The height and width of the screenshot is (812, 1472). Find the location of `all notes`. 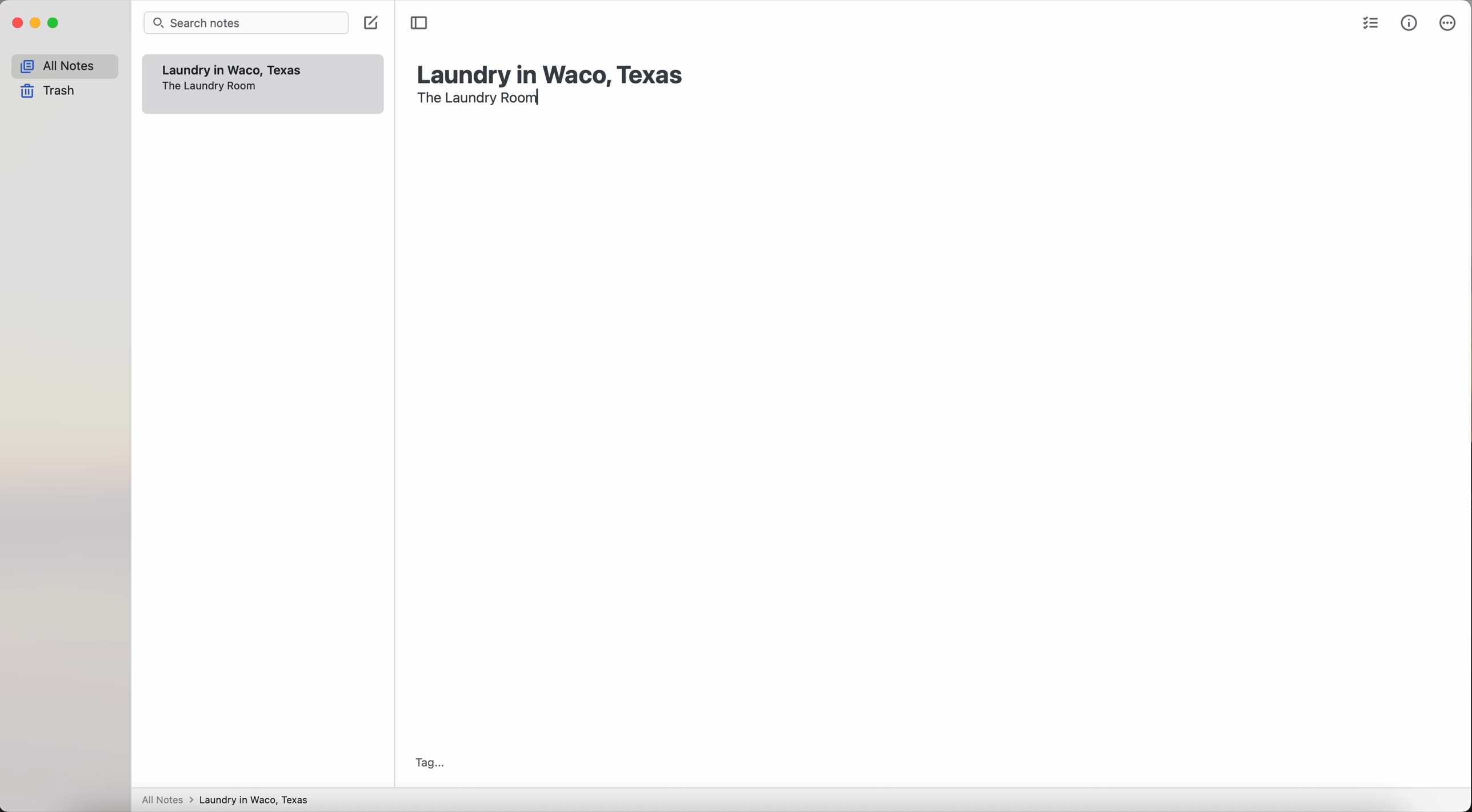

all notes is located at coordinates (65, 66).